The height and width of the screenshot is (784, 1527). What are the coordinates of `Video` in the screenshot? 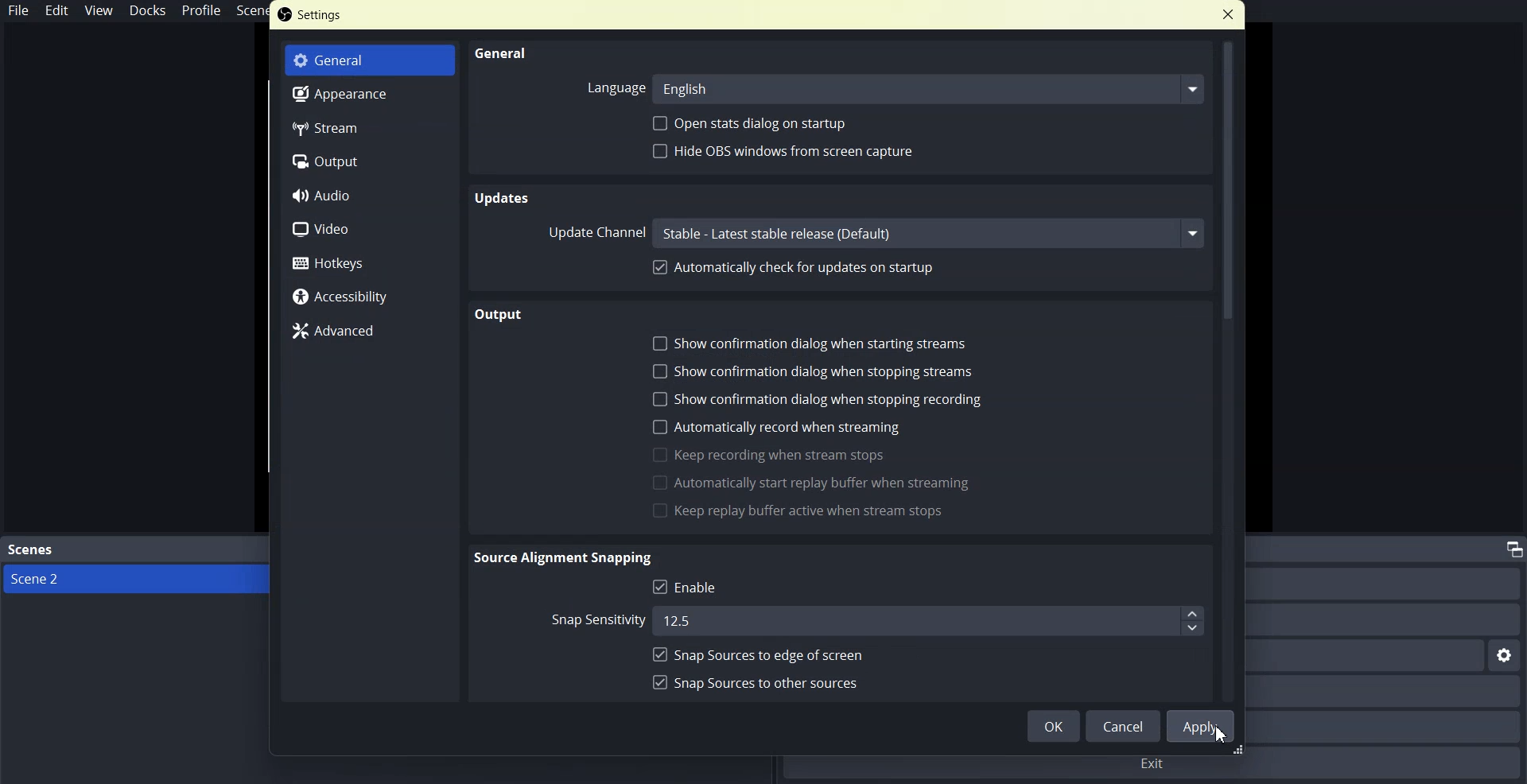 It's located at (368, 226).